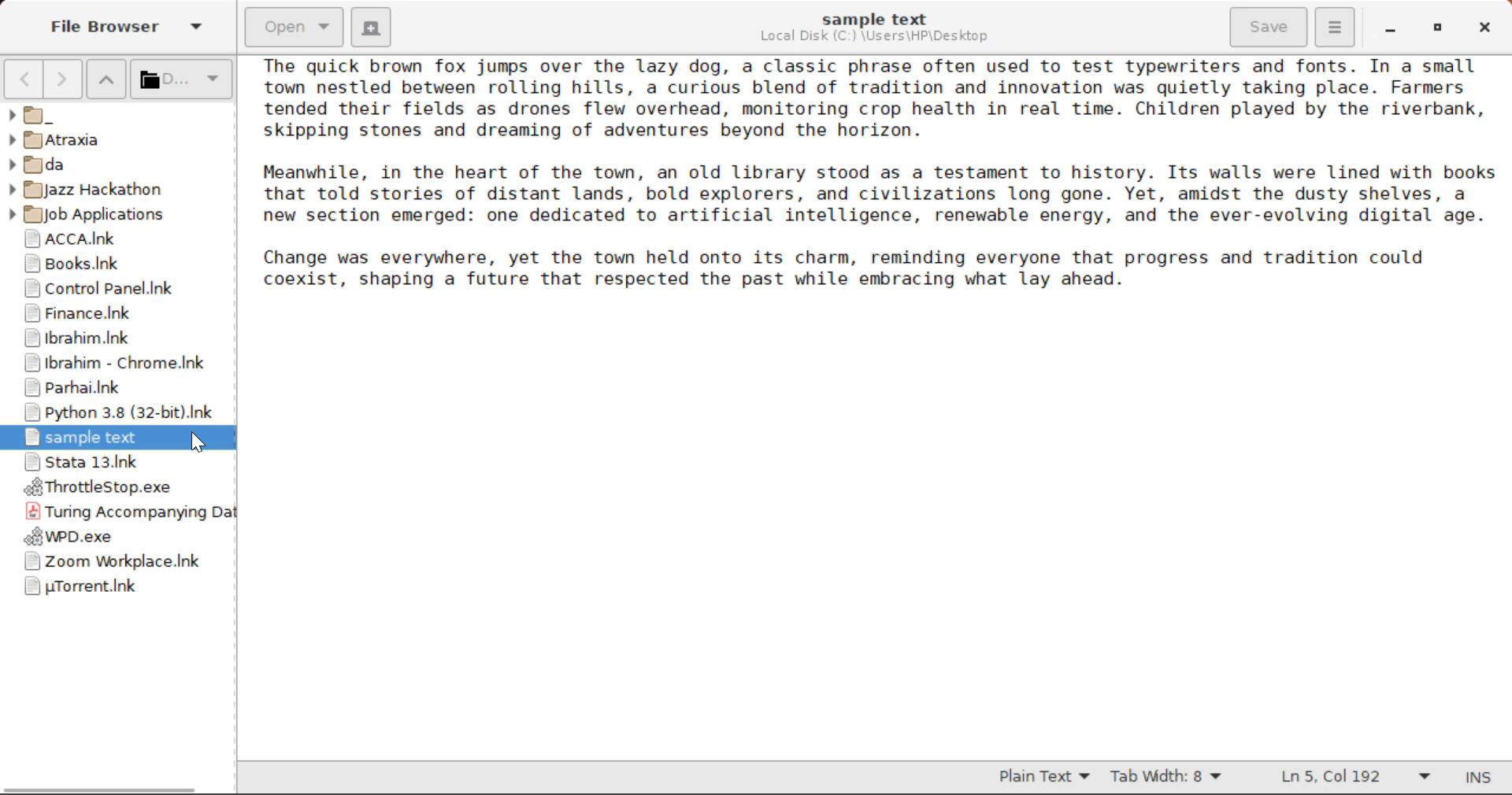  I want to click on Jazz Hackathon Folder, so click(105, 190).